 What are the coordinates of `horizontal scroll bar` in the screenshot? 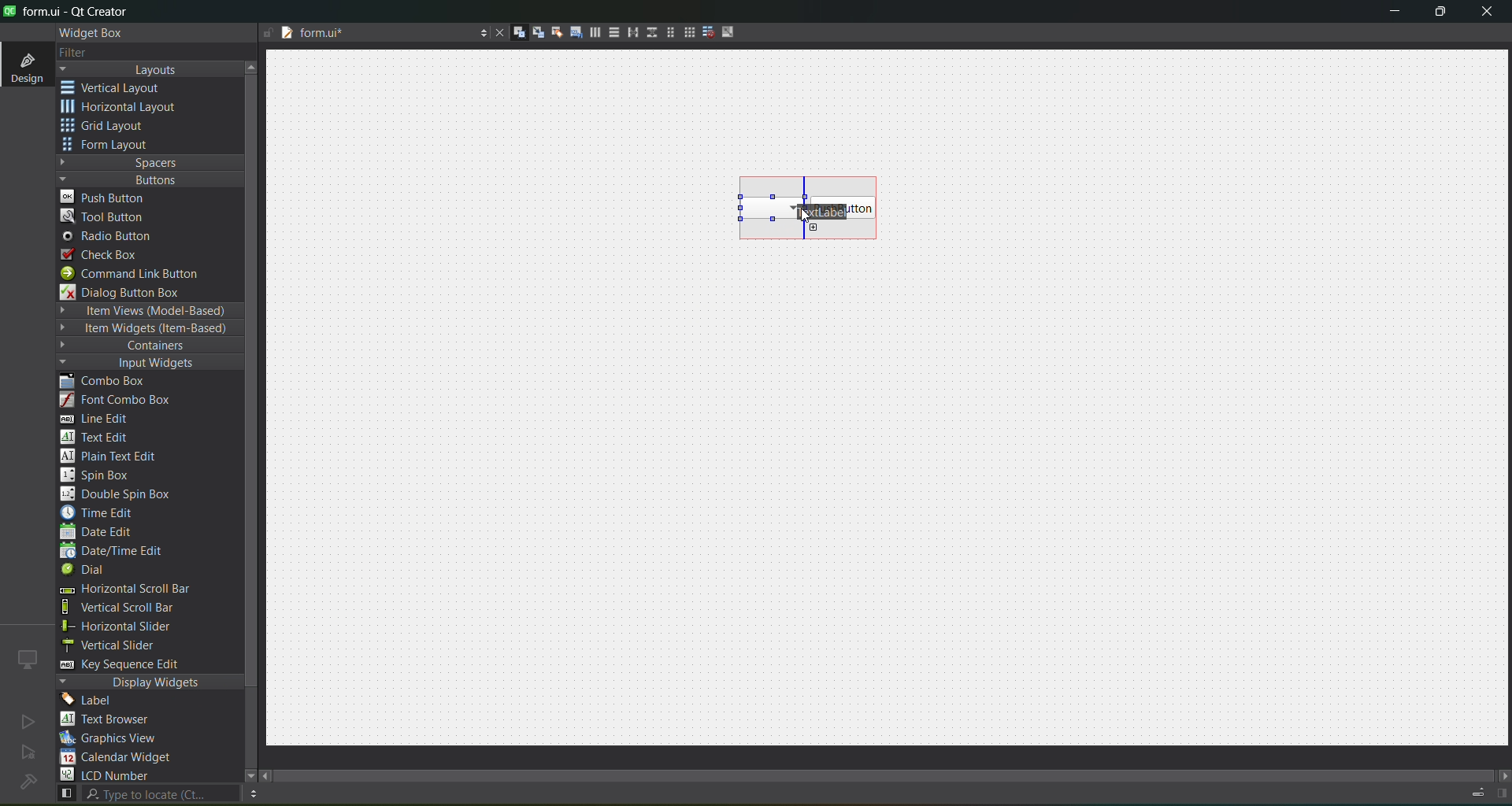 It's located at (124, 590).